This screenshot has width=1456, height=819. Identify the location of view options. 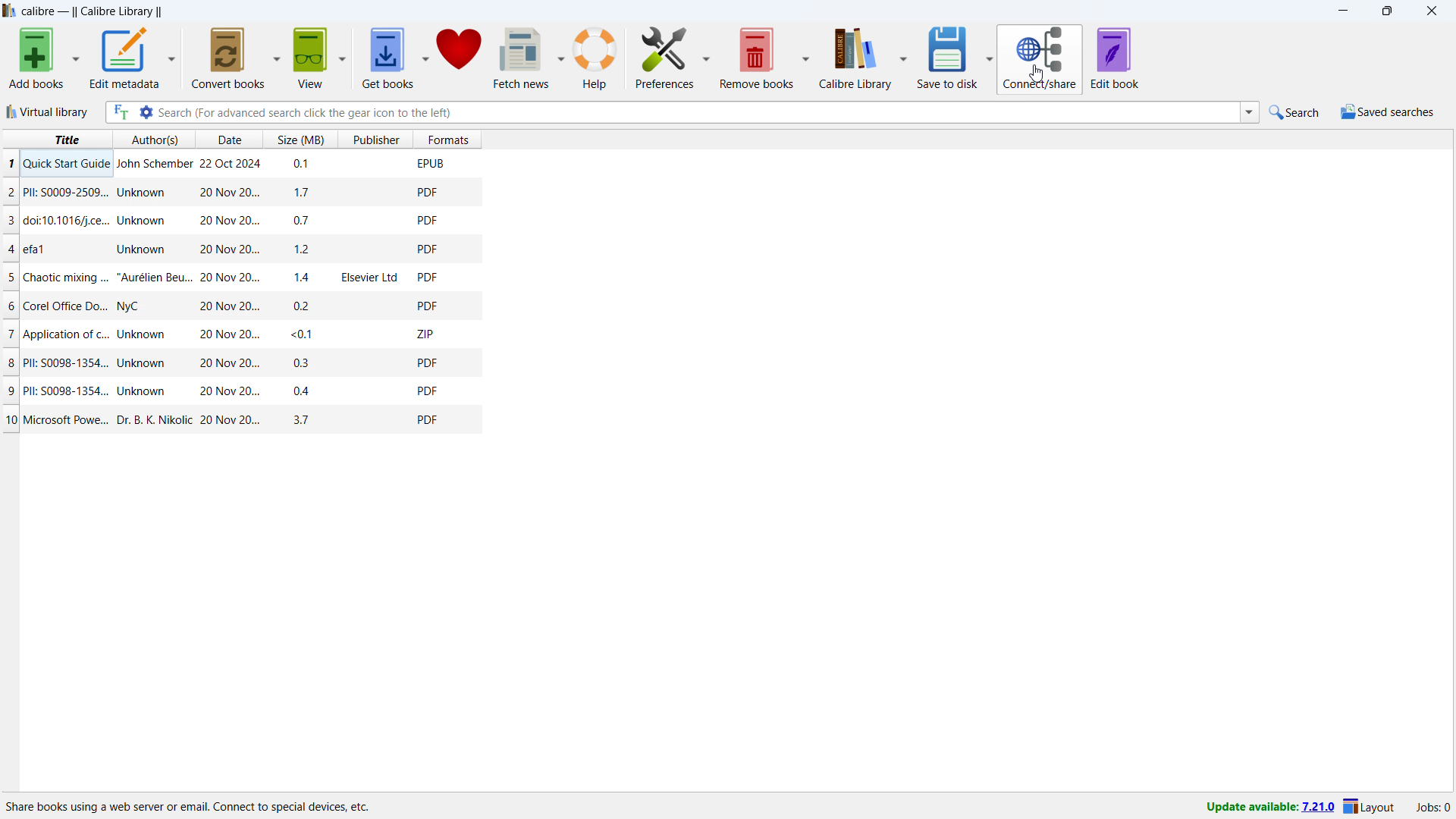
(342, 57).